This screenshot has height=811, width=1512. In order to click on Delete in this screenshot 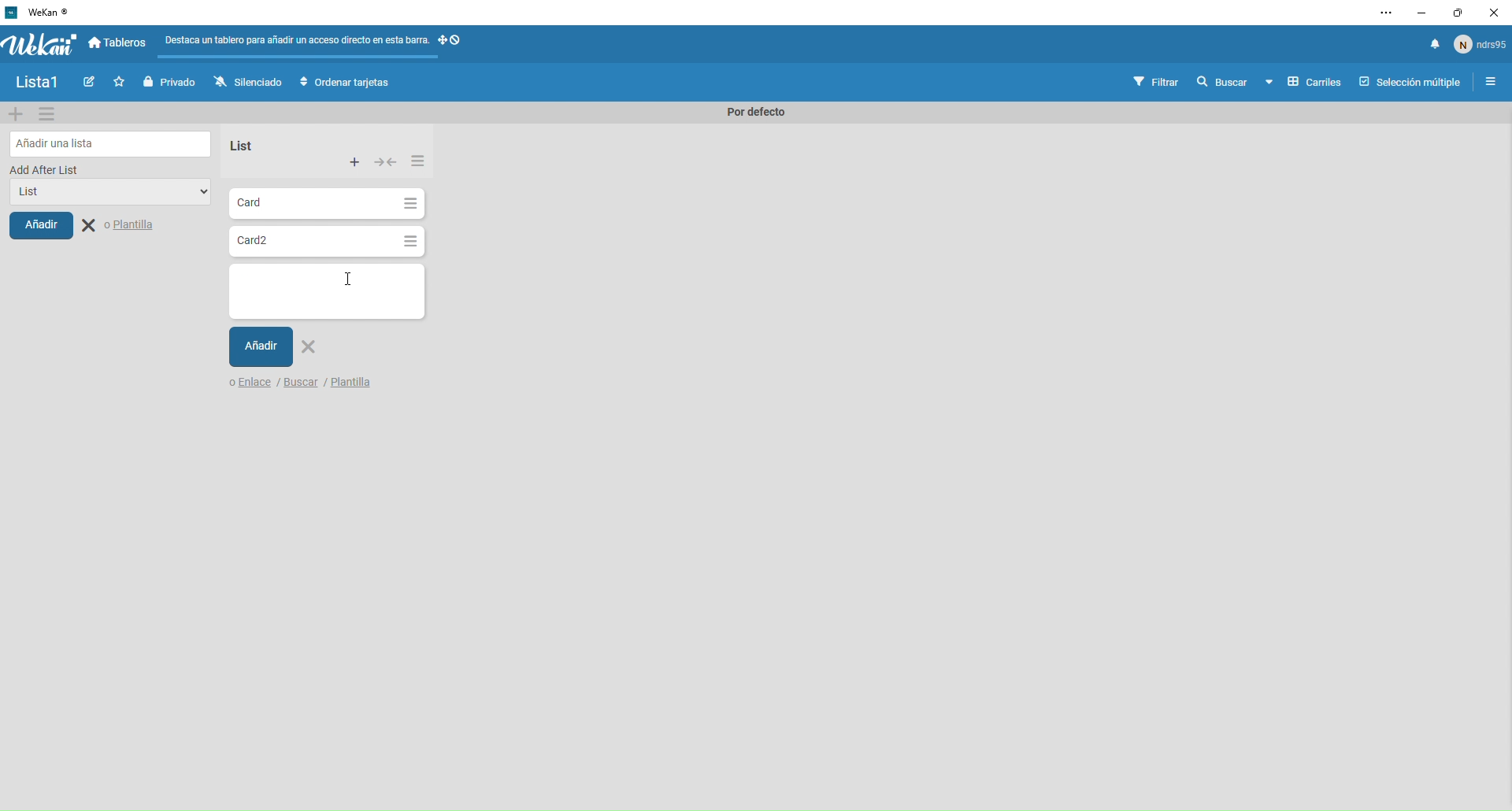, I will do `click(310, 347)`.